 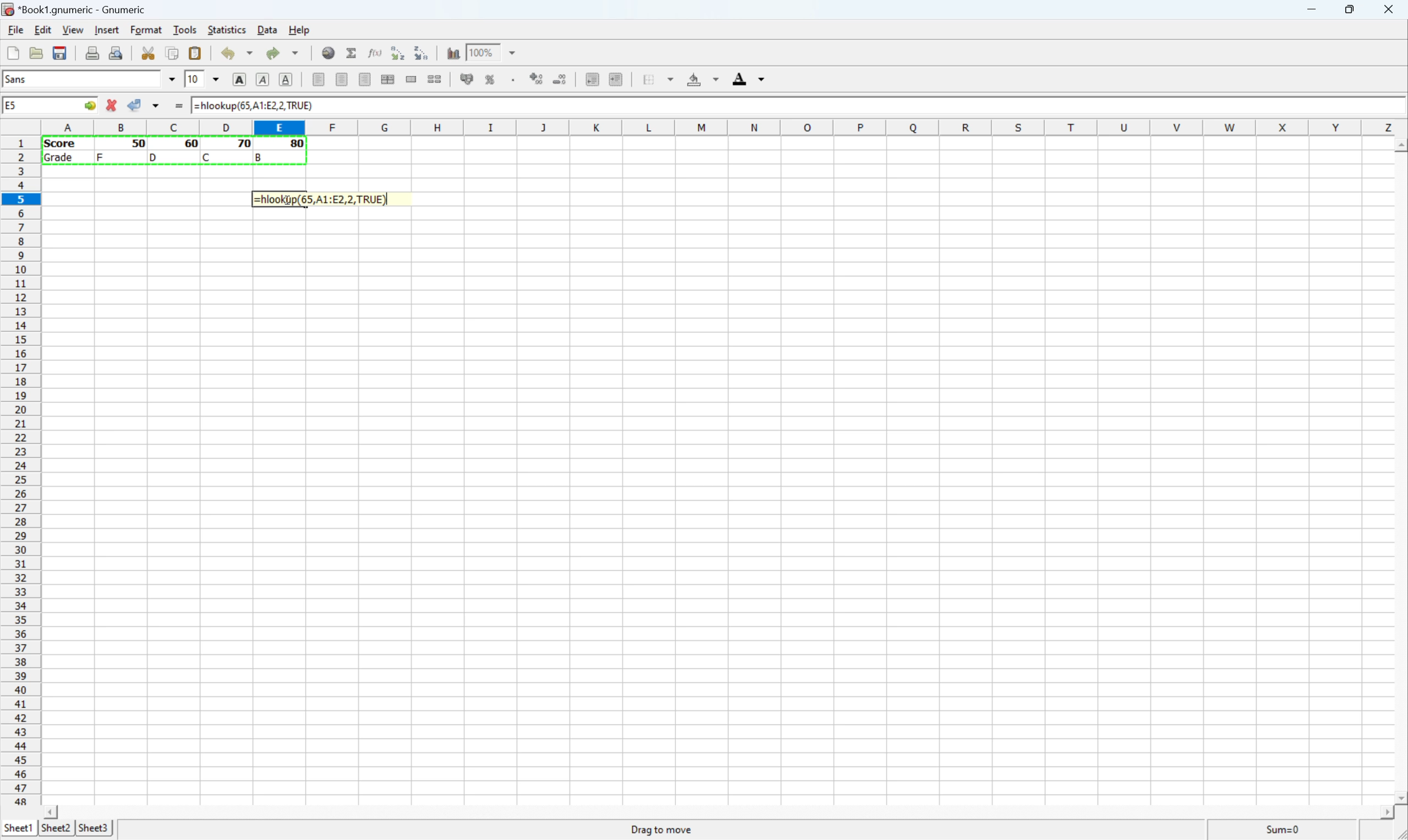 I want to click on cells, so click(x=857, y=165).